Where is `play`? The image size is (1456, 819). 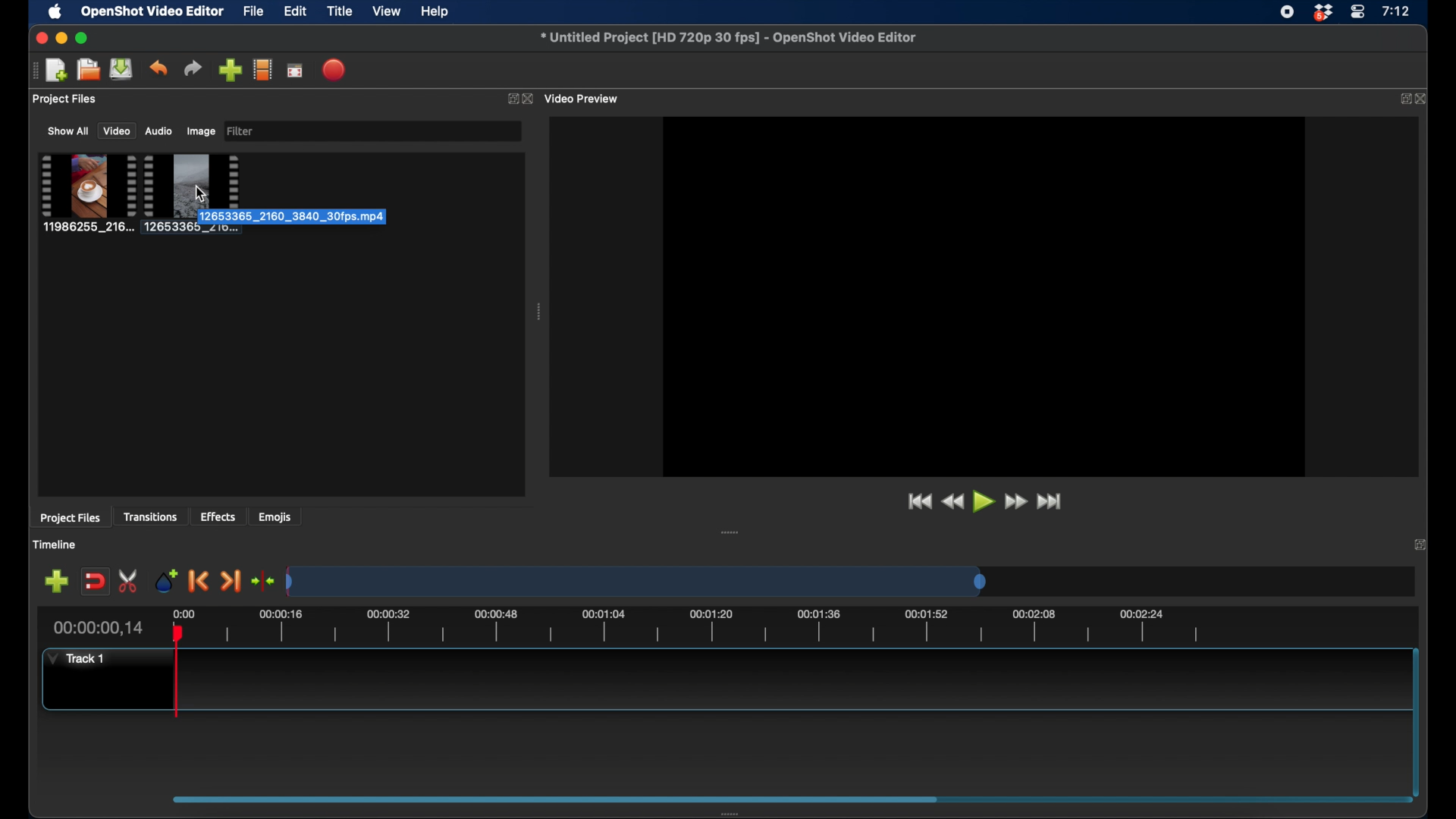 play is located at coordinates (984, 504).